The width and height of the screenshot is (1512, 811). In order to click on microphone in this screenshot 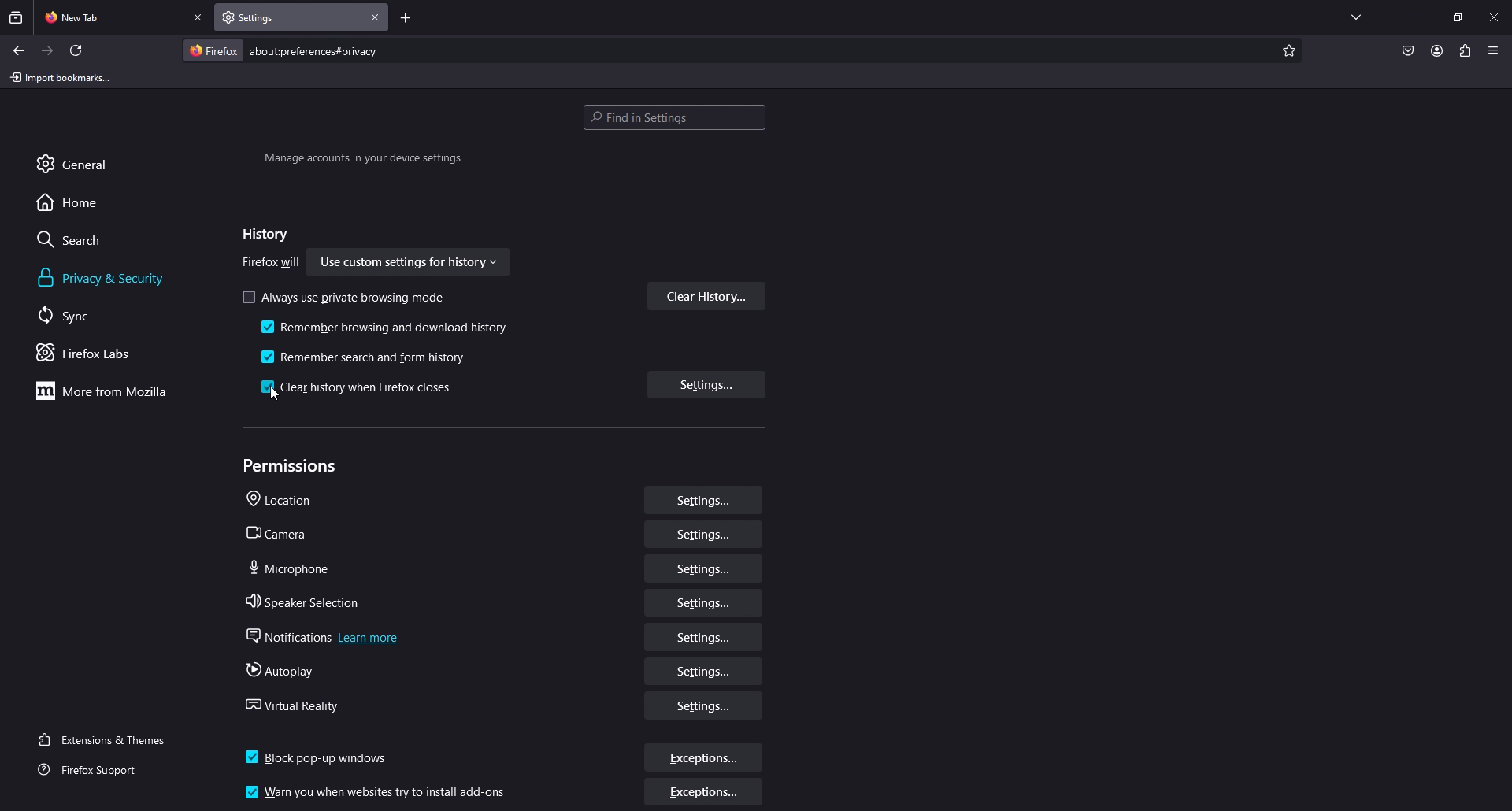, I will do `click(291, 566)`.